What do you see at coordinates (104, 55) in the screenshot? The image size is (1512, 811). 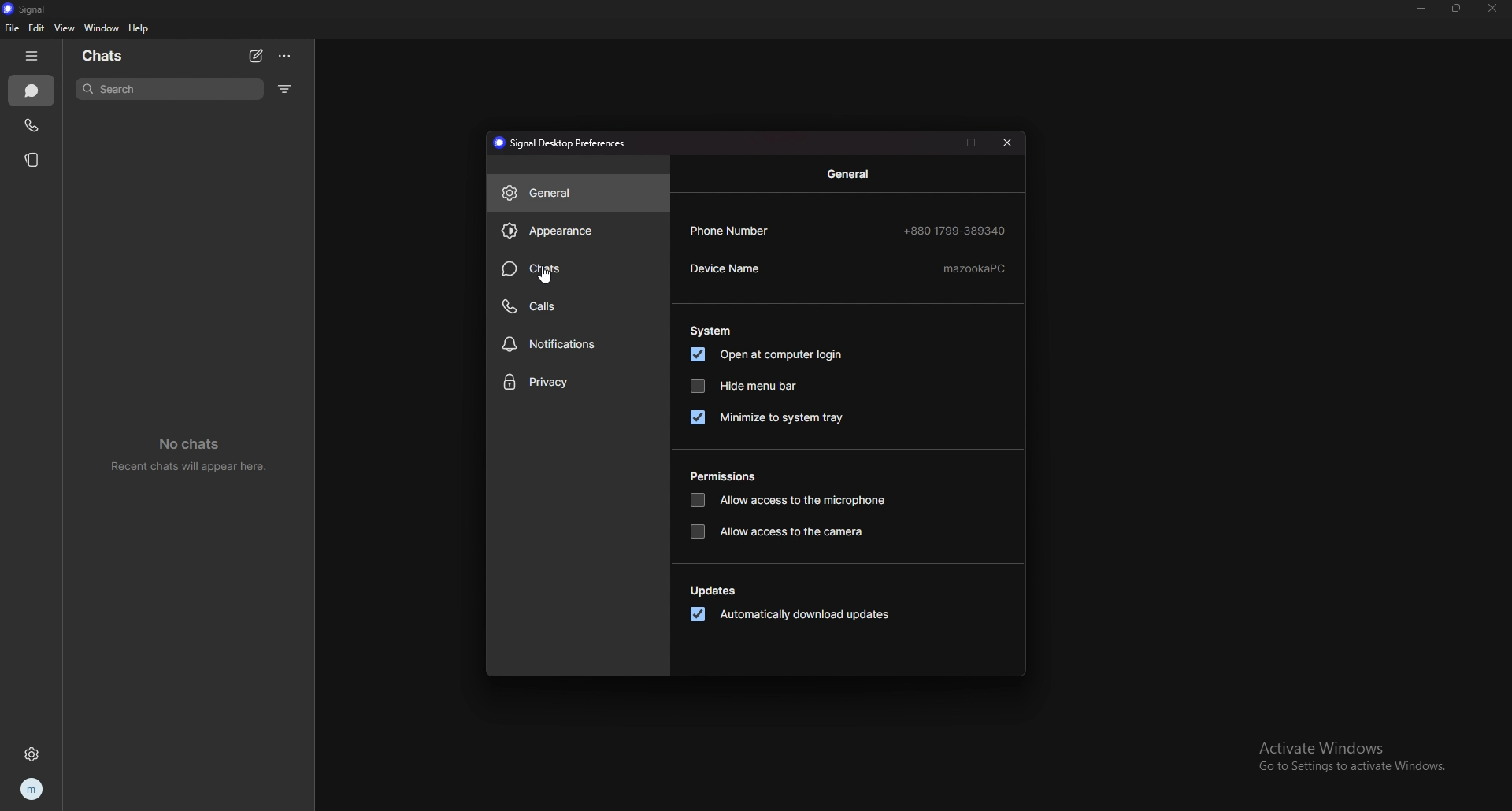 I see `chats` at bounding box center [104, 55].